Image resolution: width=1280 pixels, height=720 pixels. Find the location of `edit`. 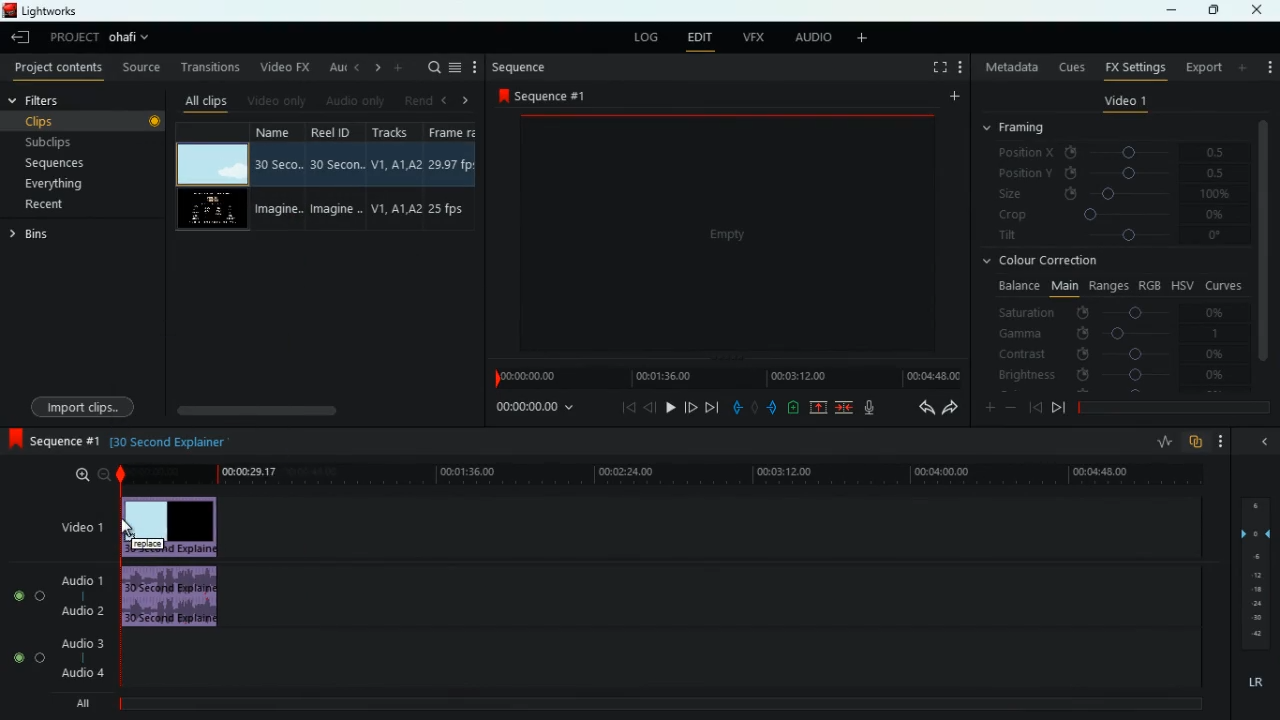

edit is located at coordinates (700, 39).